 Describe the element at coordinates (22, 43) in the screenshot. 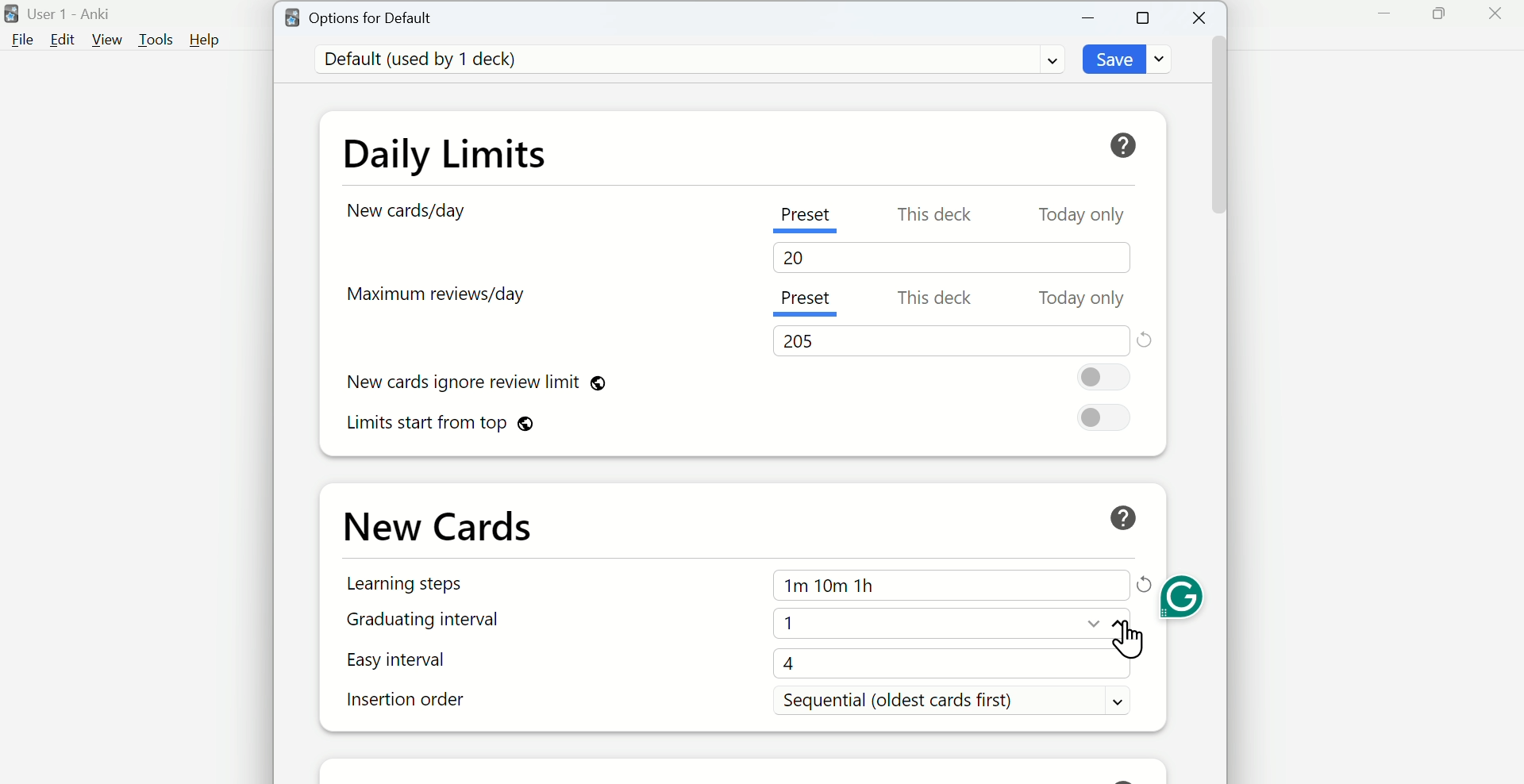

I see `File` at that location.